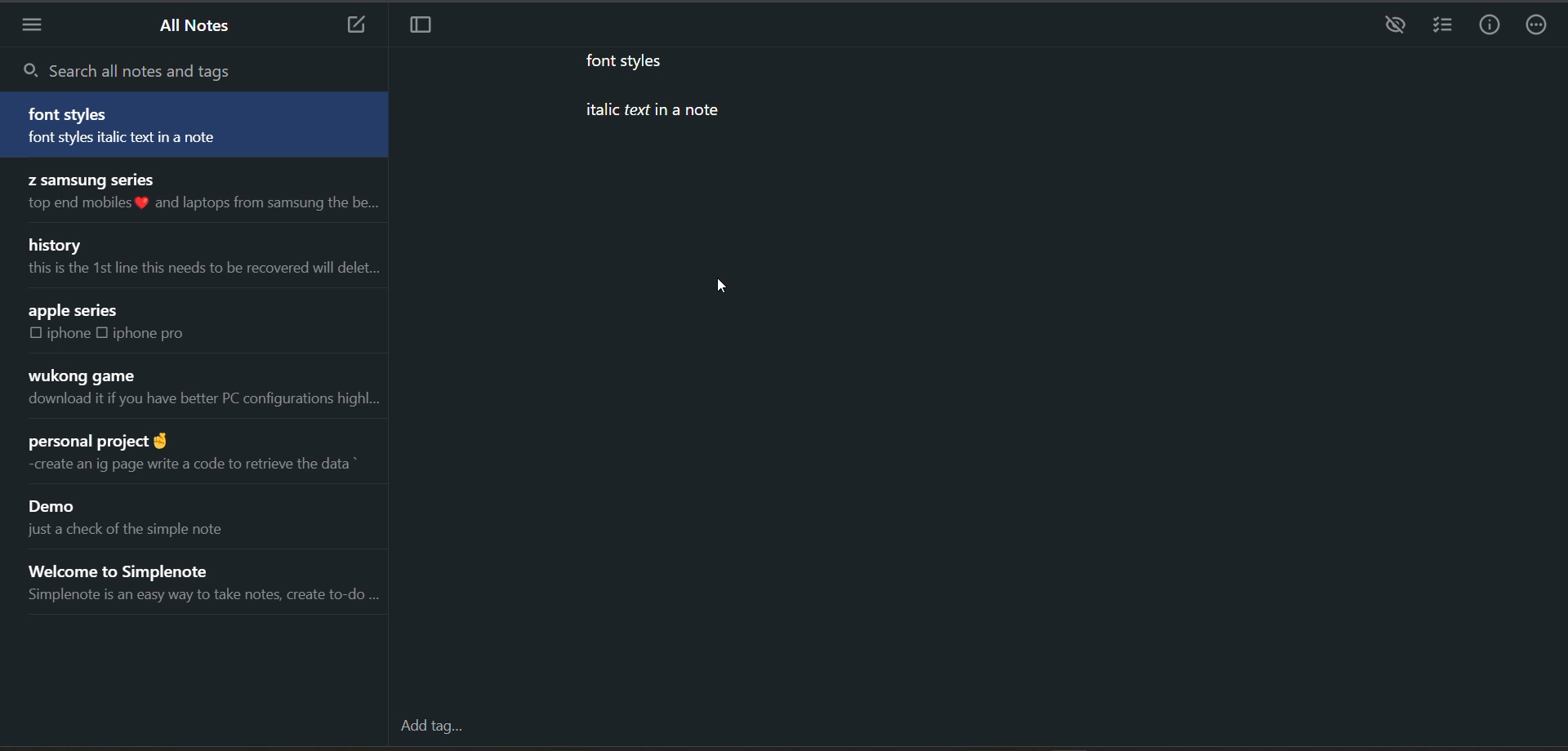 The width and height of the screenshot is (1568, 751). Describe the element at coordinates (199, 29) in the screenshot. I see `all notes` at that location.